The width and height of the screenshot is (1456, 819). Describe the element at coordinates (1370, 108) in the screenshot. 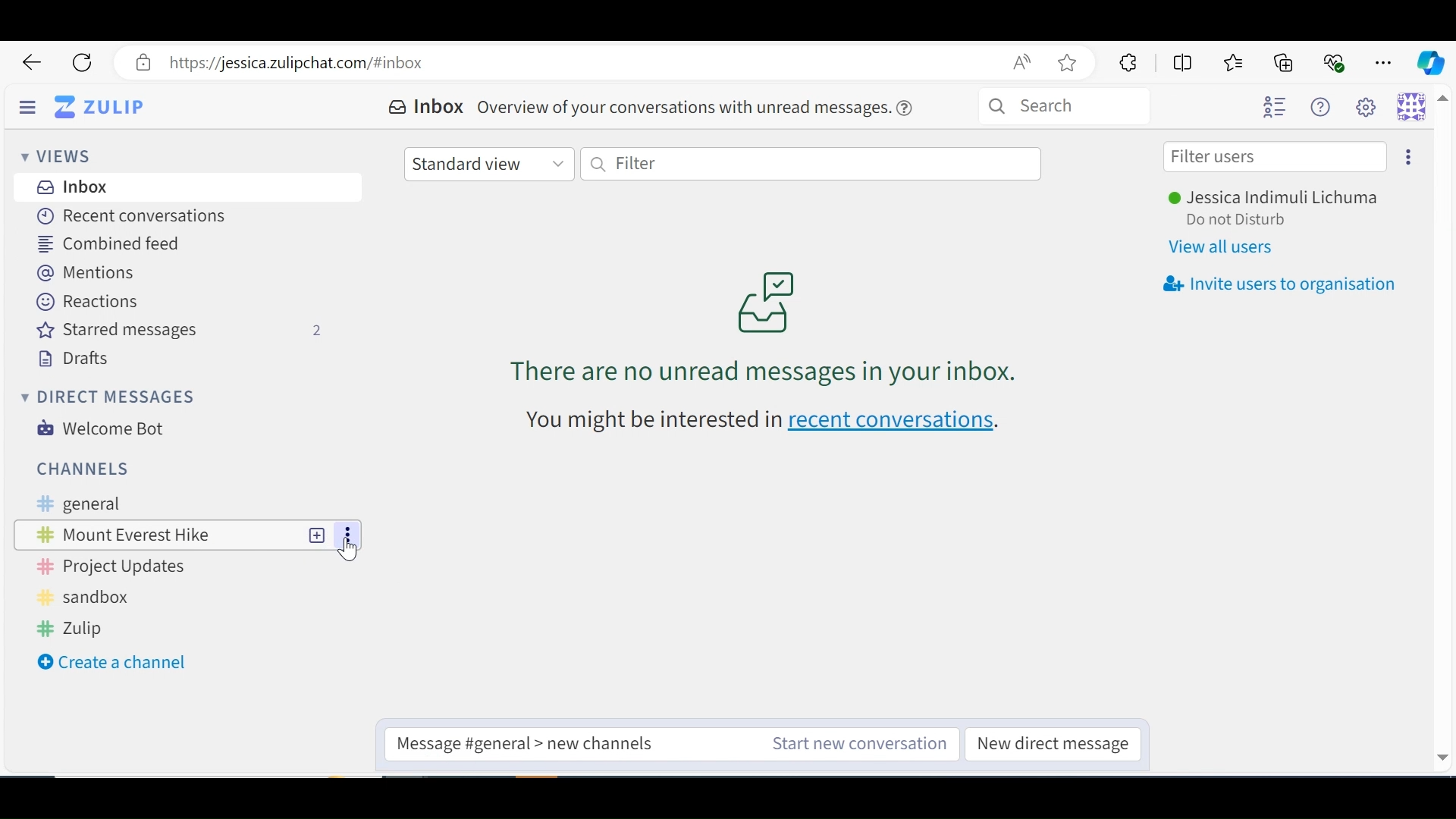

I see `main settings` at that location.